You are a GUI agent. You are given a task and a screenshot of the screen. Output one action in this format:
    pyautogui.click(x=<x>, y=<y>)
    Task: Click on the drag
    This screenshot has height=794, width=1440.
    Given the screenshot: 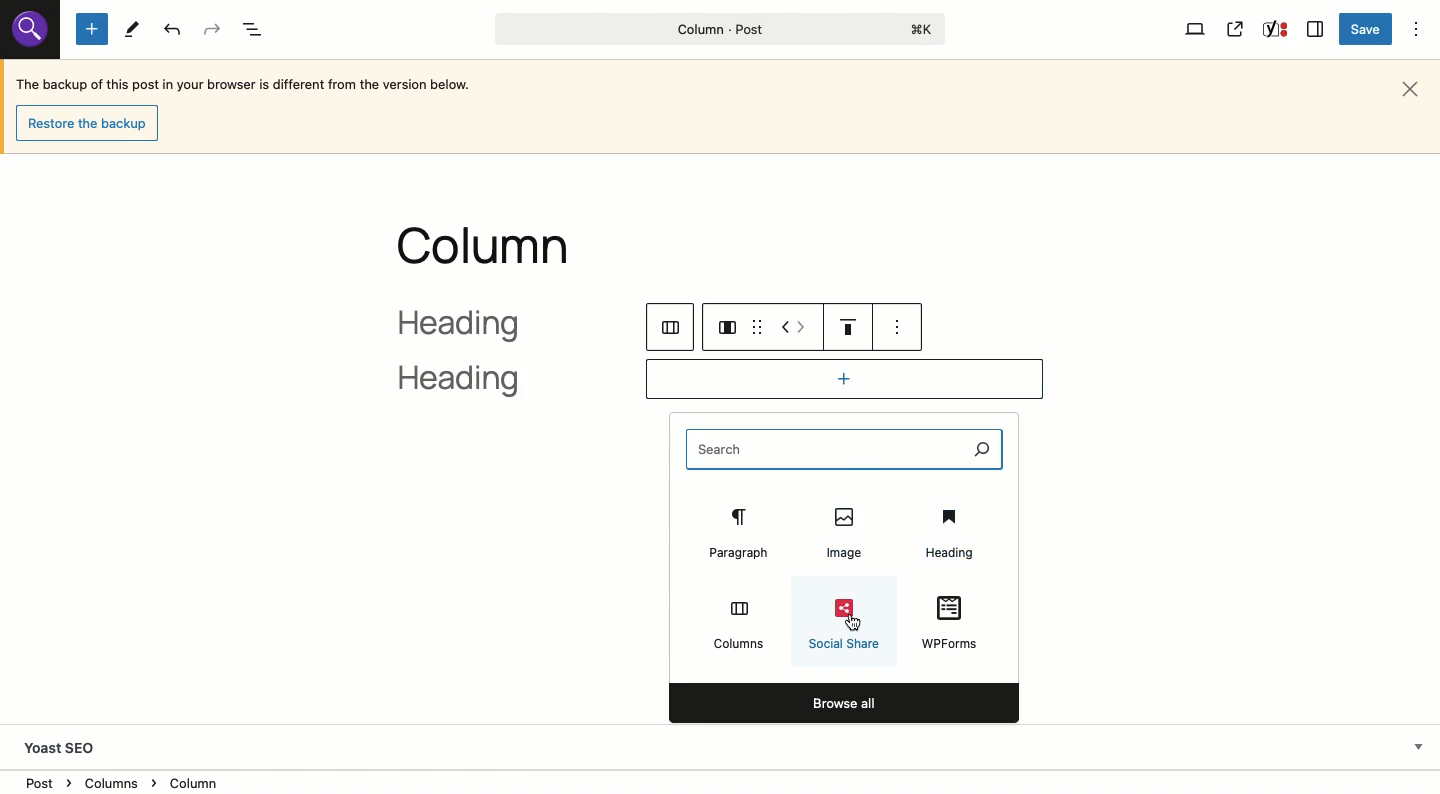 What is the action you would take?
    pyautogui.click(x=755, y=330)
    